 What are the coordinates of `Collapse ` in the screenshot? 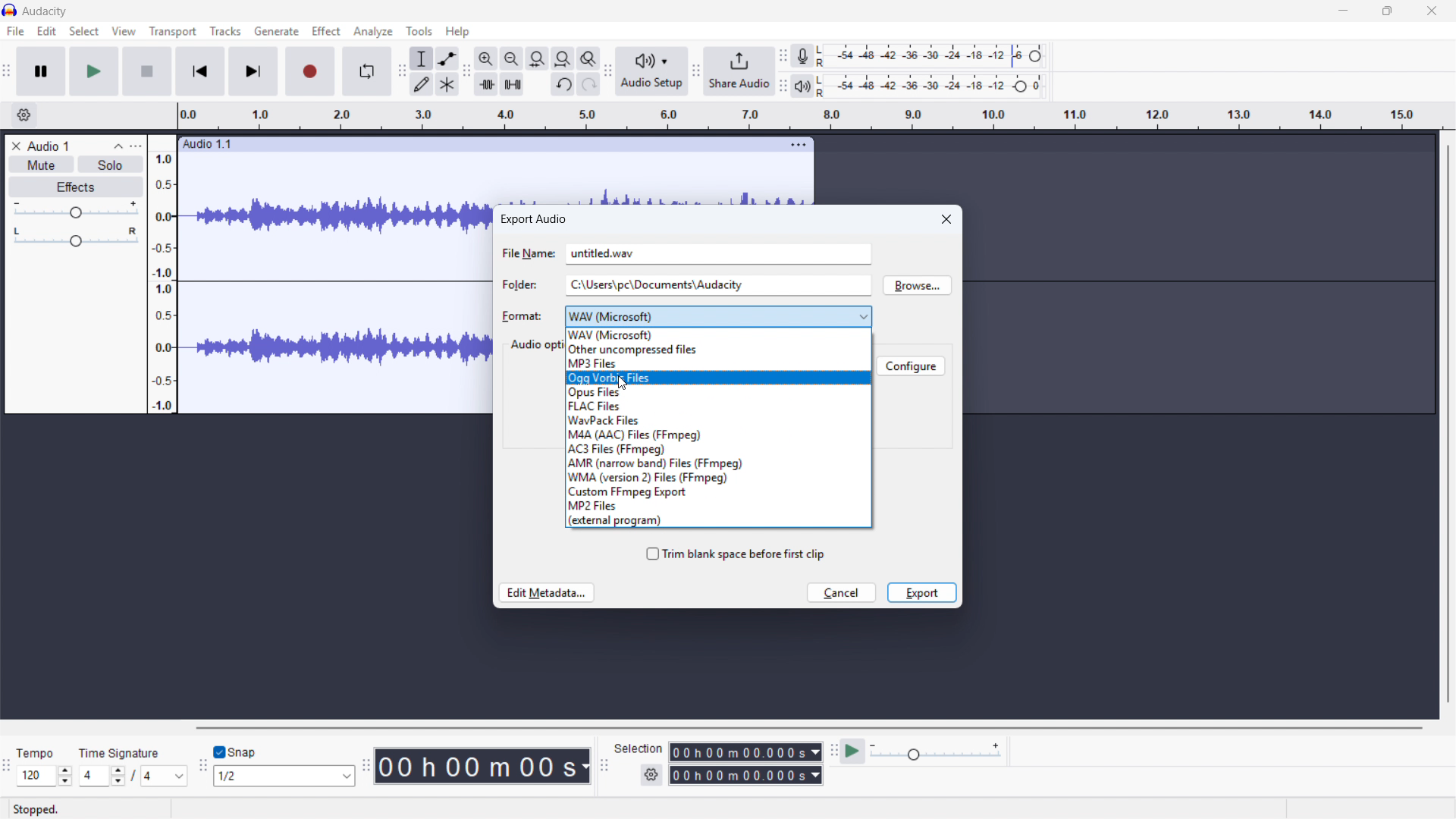 It's located at (118, 146).